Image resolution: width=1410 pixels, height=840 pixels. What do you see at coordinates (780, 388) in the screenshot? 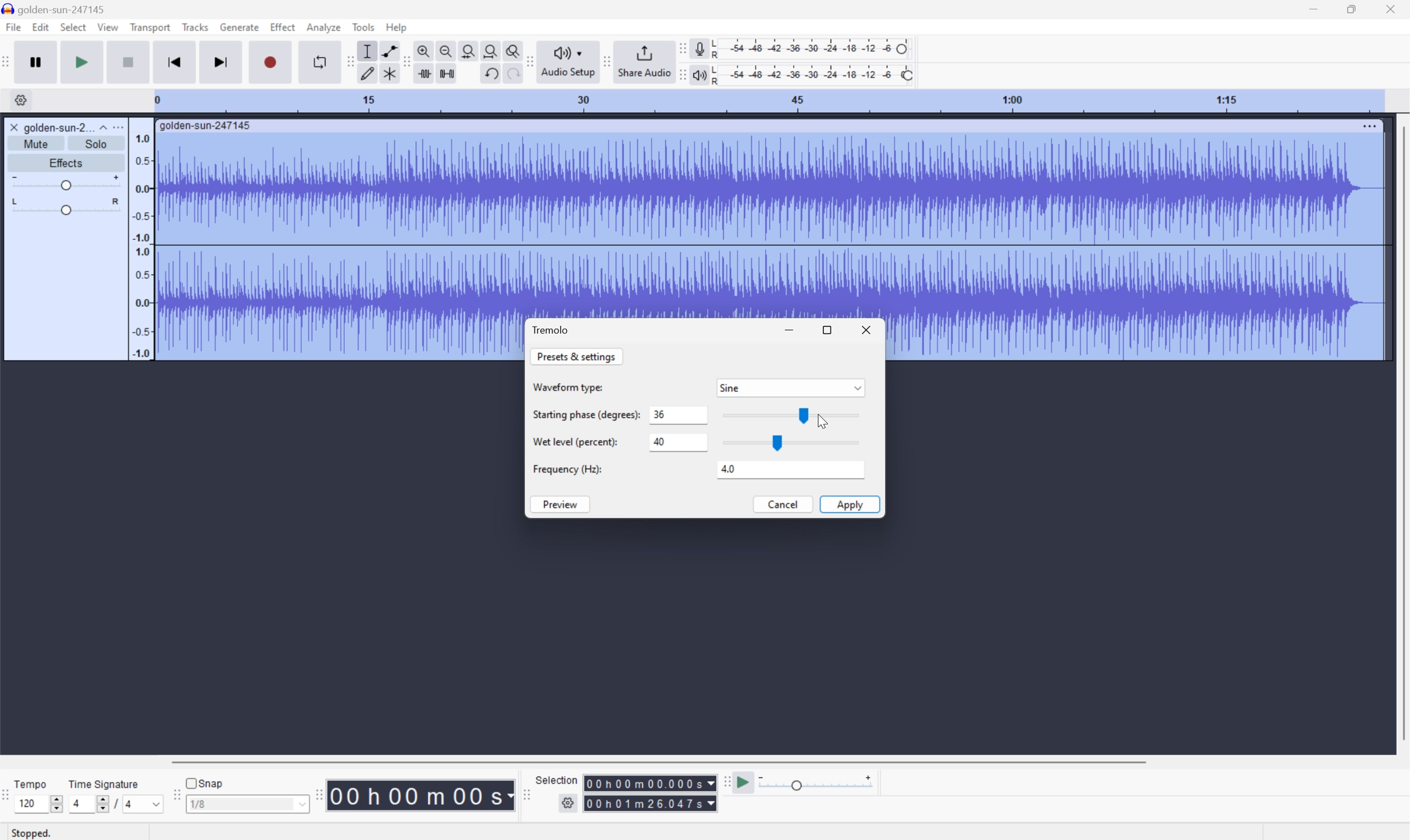
I see `Sine` at bounding box center [780, 388].